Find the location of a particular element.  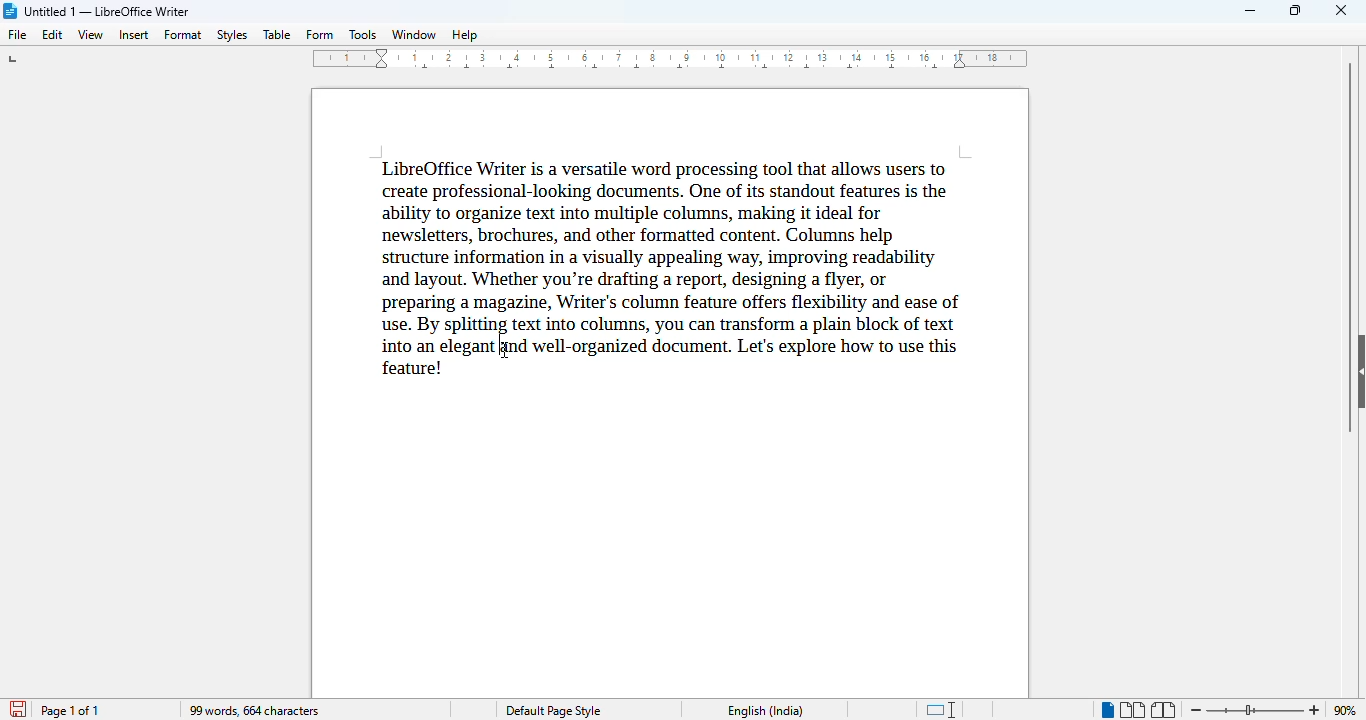

format is located at coordinates (184, 35).